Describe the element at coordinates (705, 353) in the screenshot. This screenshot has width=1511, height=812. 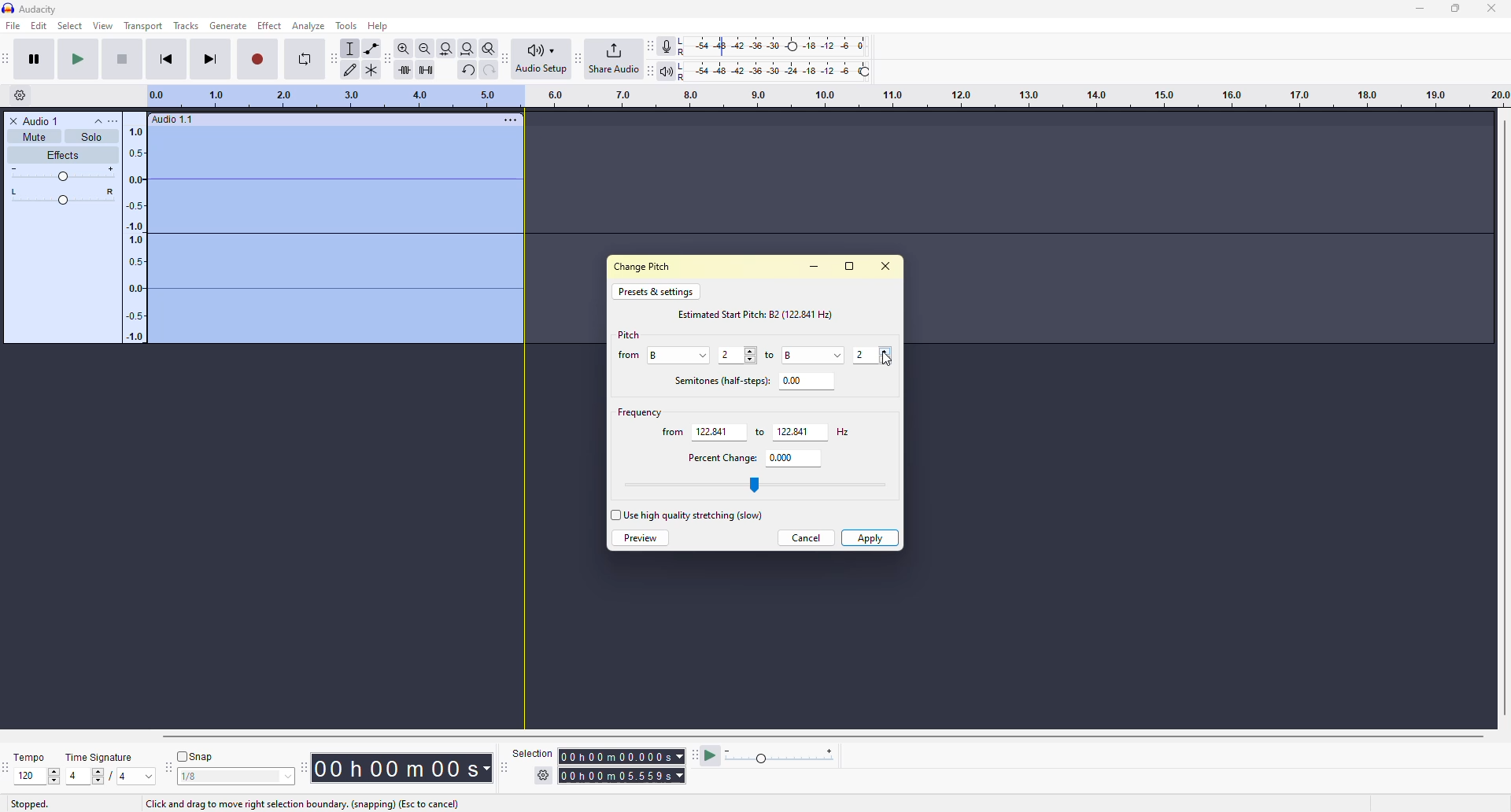
I see `select` at that location.